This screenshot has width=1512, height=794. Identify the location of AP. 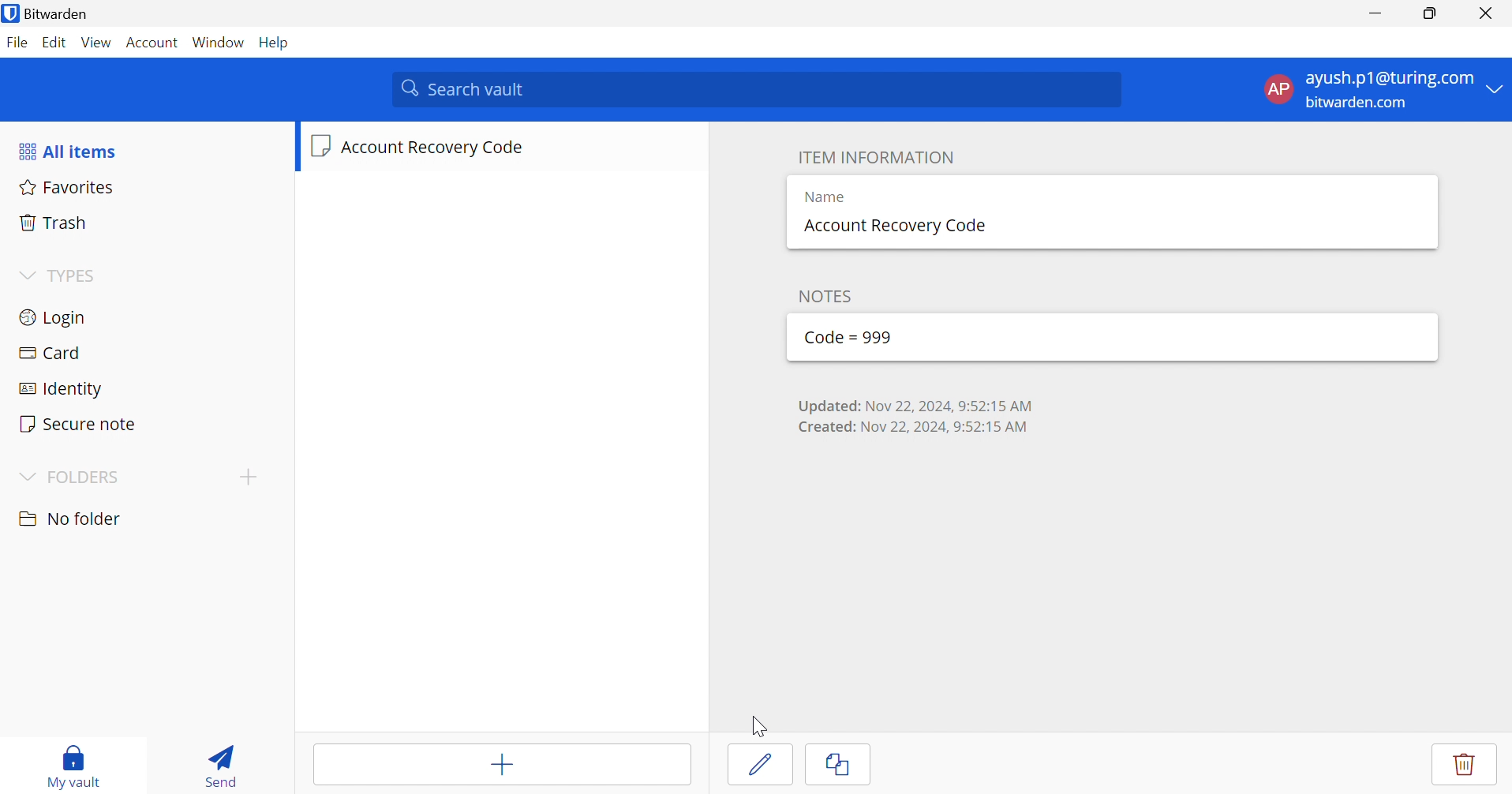
(1276, 88).